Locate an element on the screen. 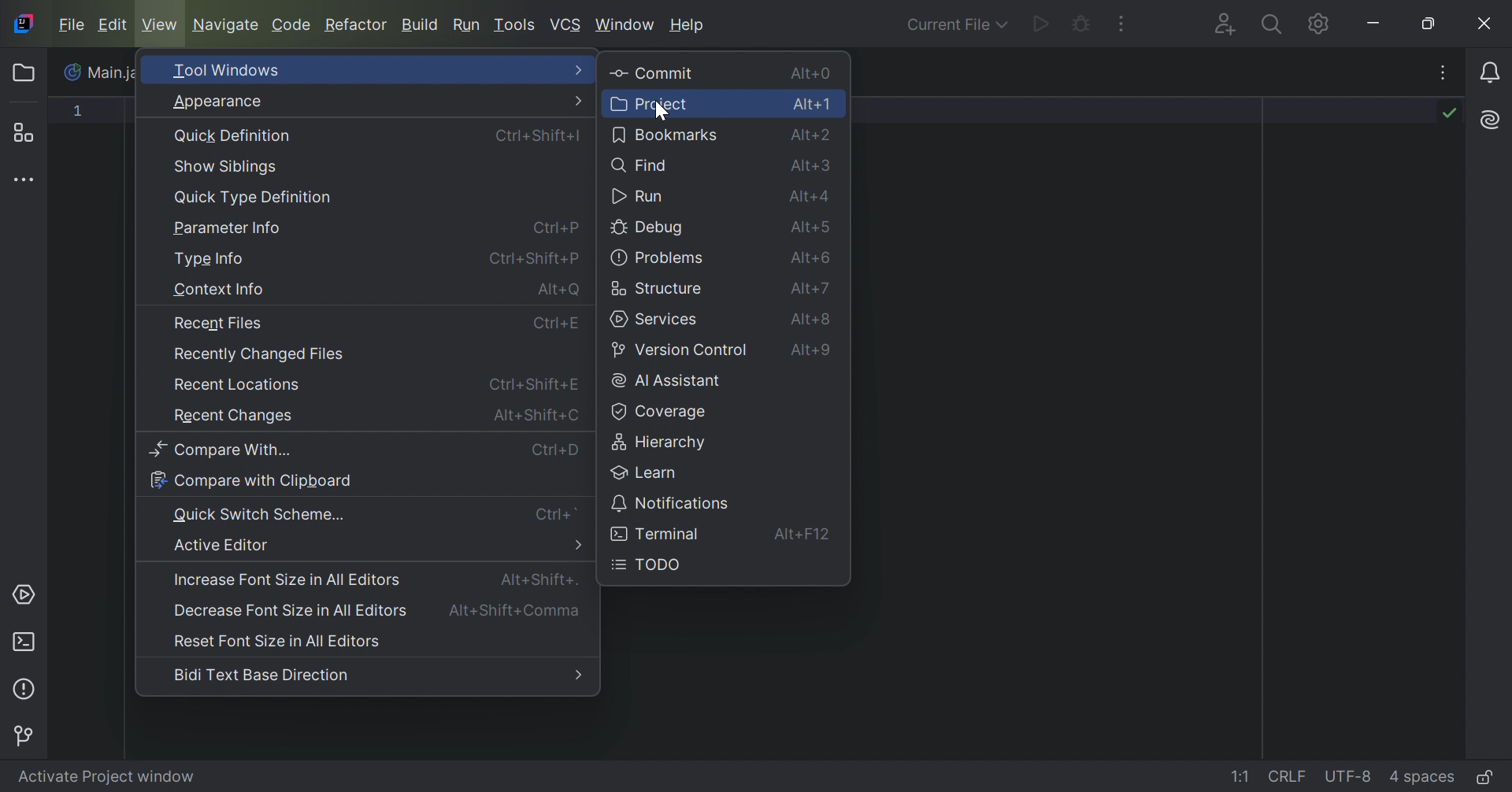 Image resolution: width=1512 pixels, height=792 pixels. Alt+1 is located at coordinates (813, 105).